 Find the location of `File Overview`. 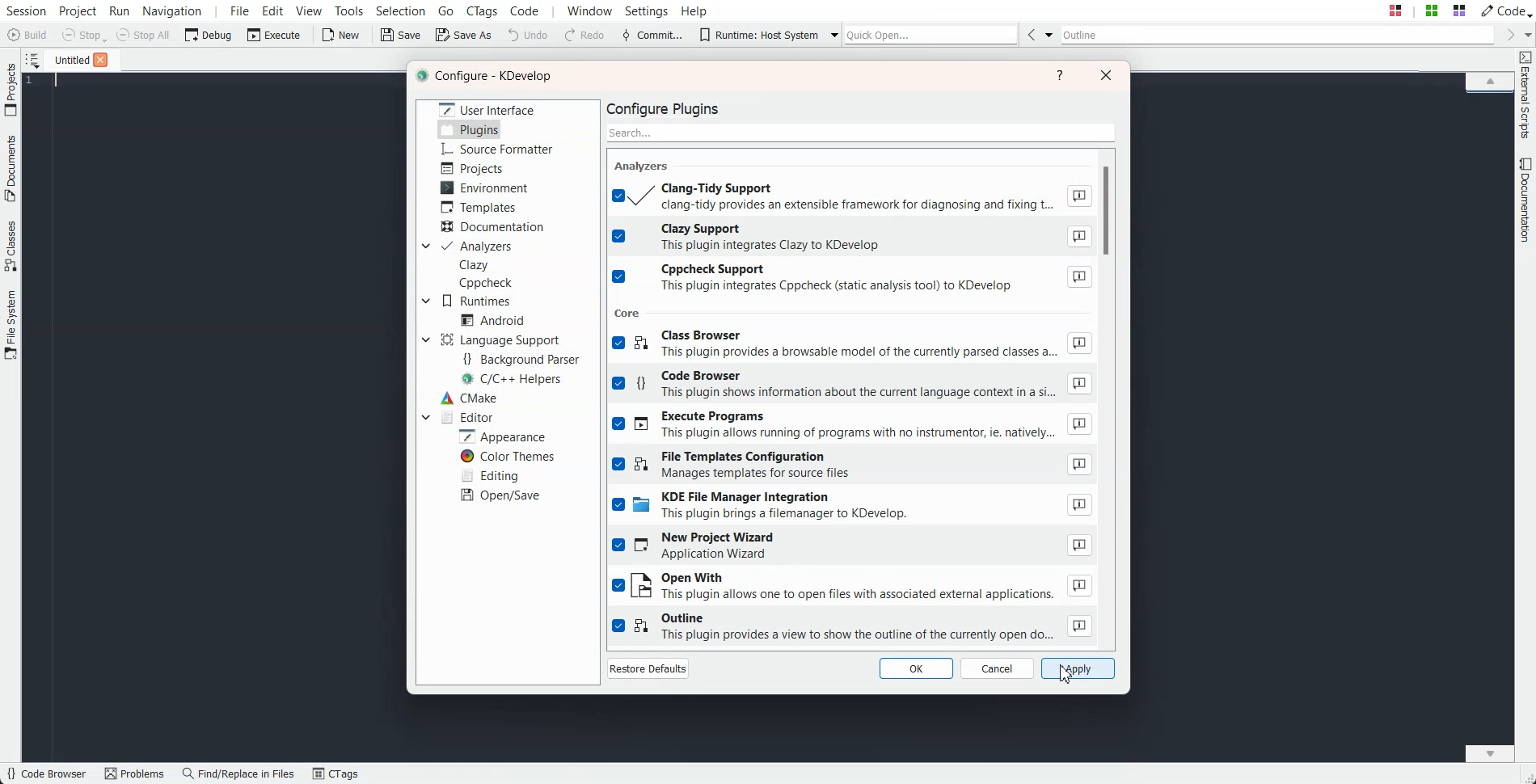

File Overview is located at coordinates (1489, 95).